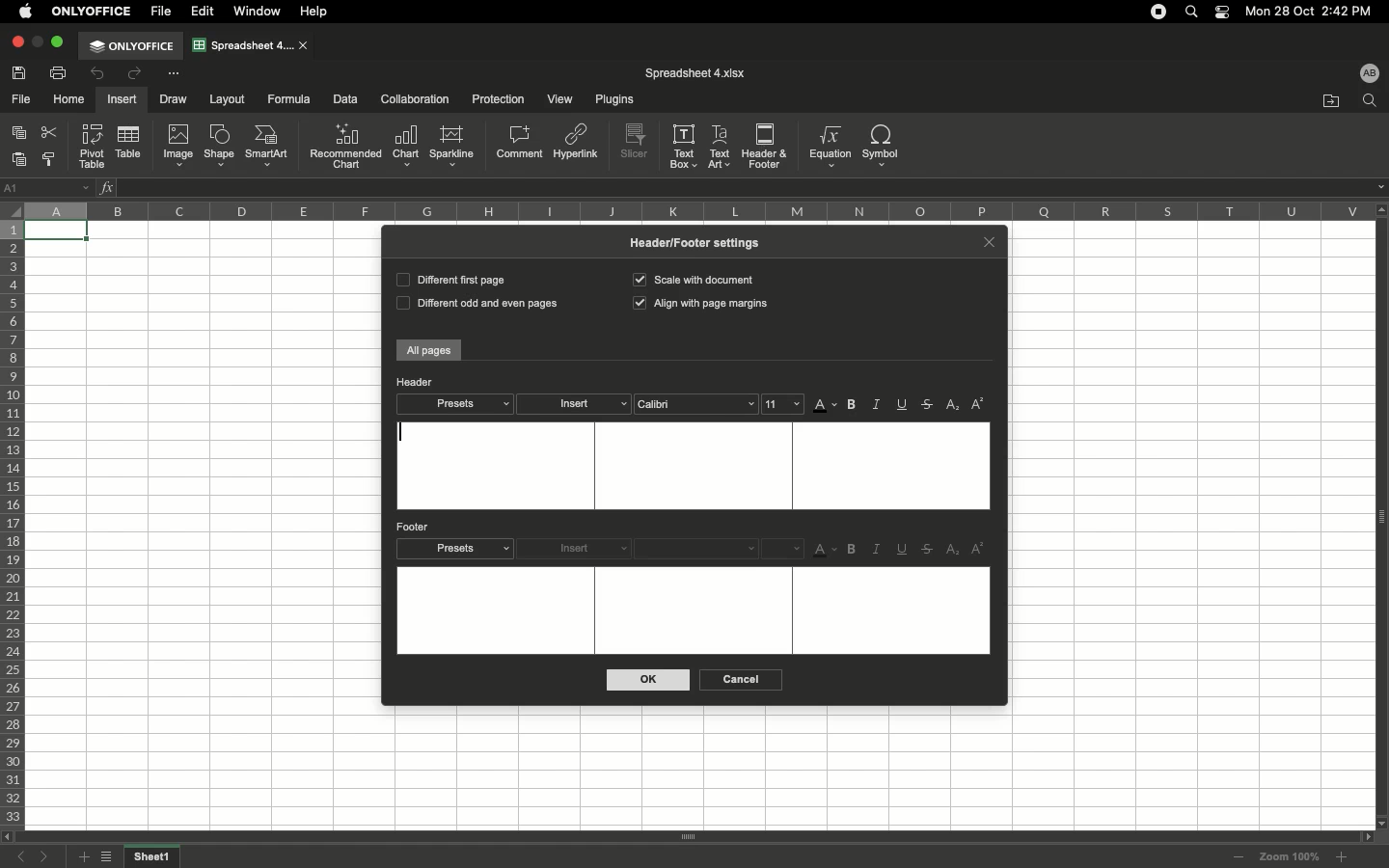 The image size is (1389, 868). I want to click on Font color, so click(826, 406).